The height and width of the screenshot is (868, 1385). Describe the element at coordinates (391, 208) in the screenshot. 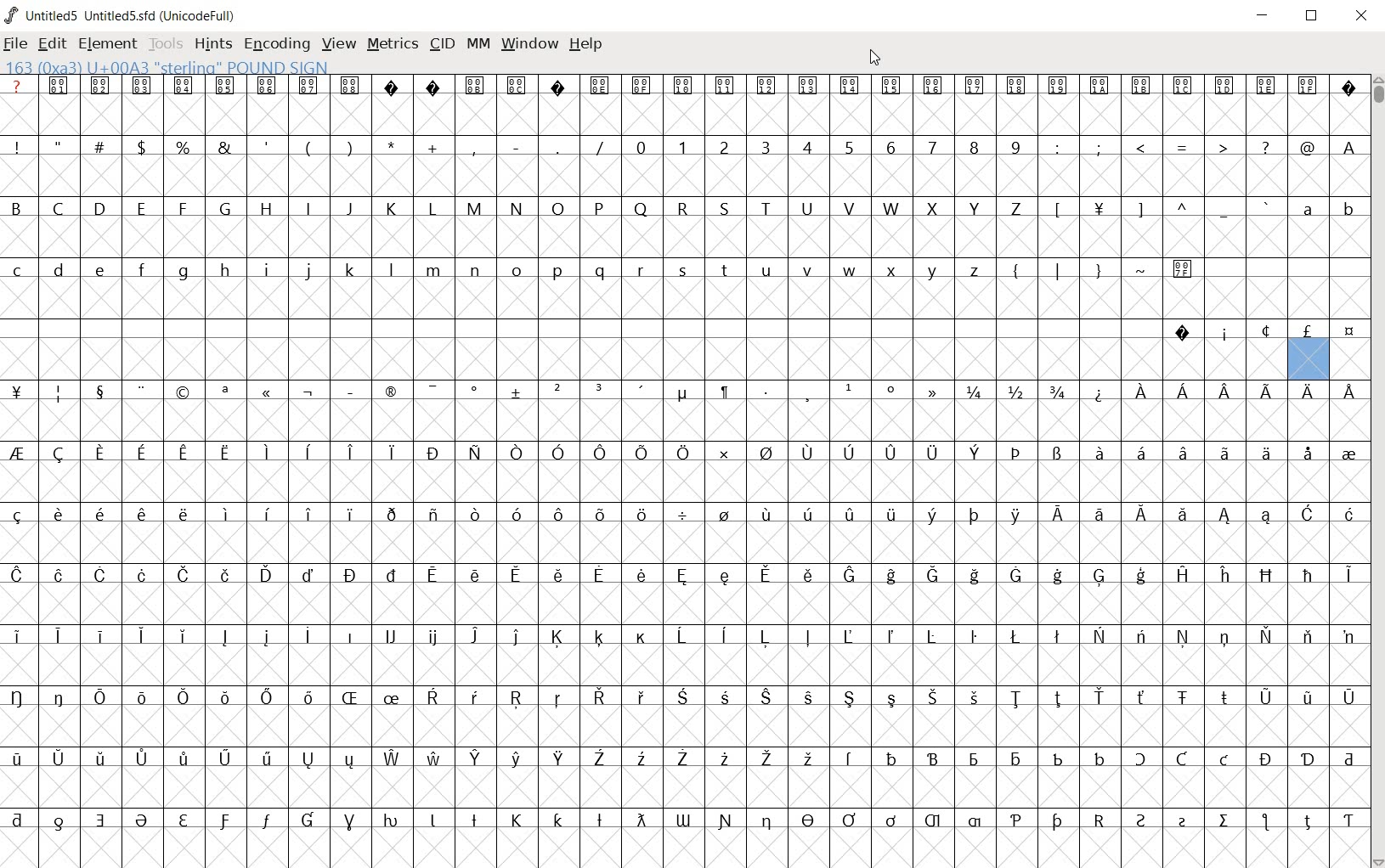

I see `K` at that location.